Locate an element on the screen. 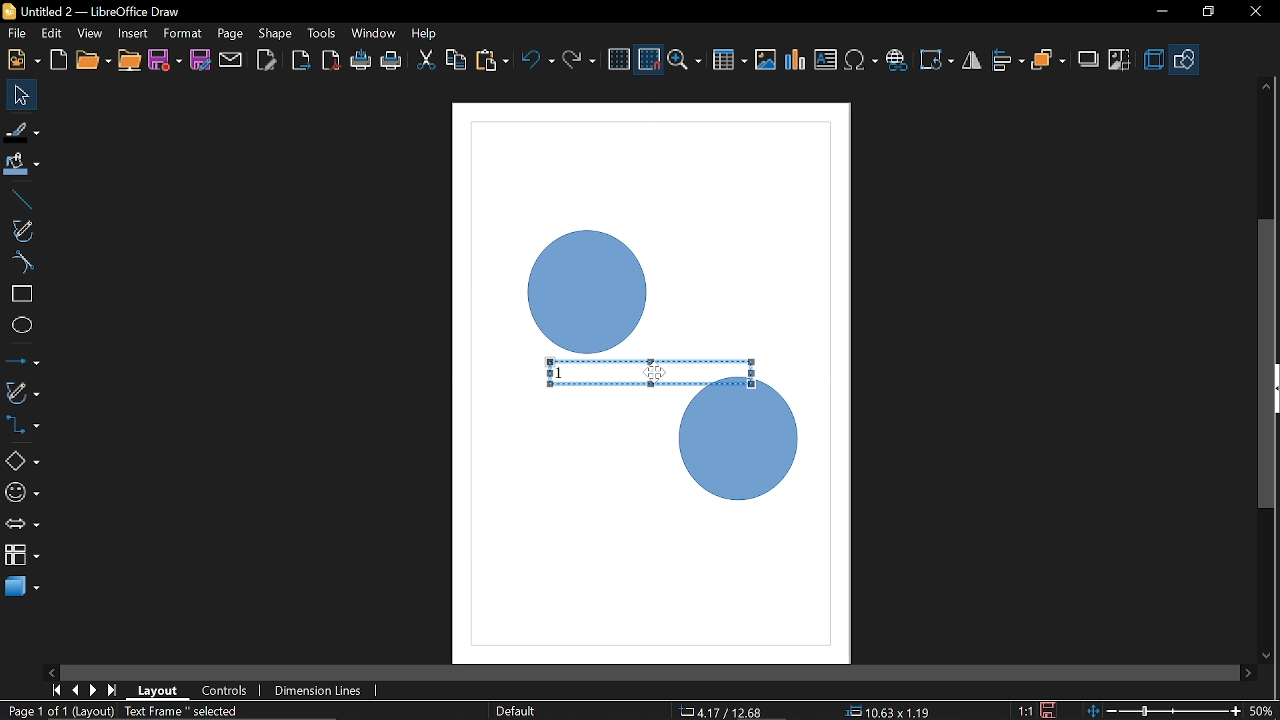 The width and height of the screenshot is (1280, 720). Grid is located at coordinates (619, 60).